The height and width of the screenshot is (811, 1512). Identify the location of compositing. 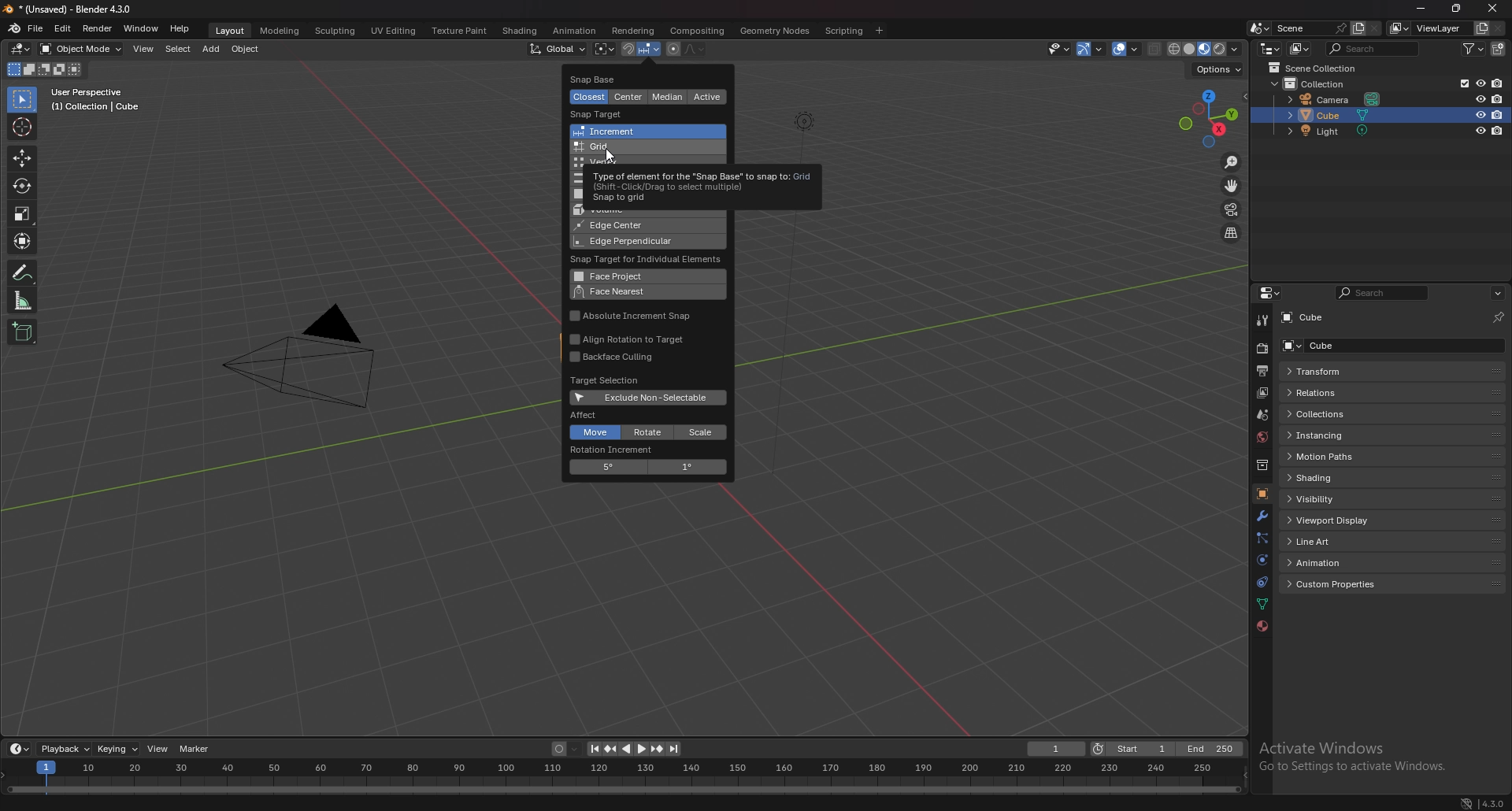
(699, 31).